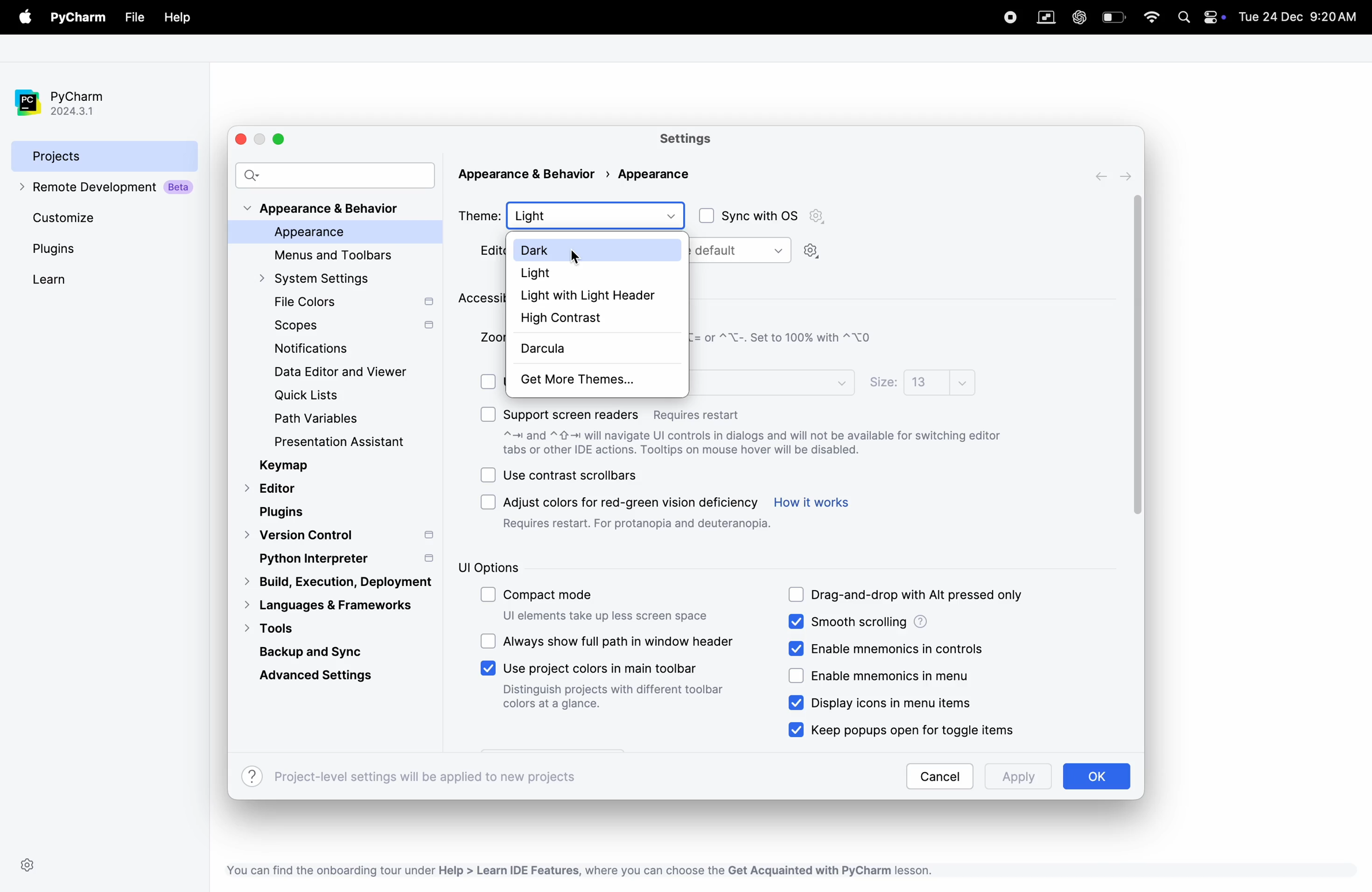 This screenshot has width=1372, height=892. Describe the element at coordinates (742, 251) in the screenshot. I see `light theme default` at that location.